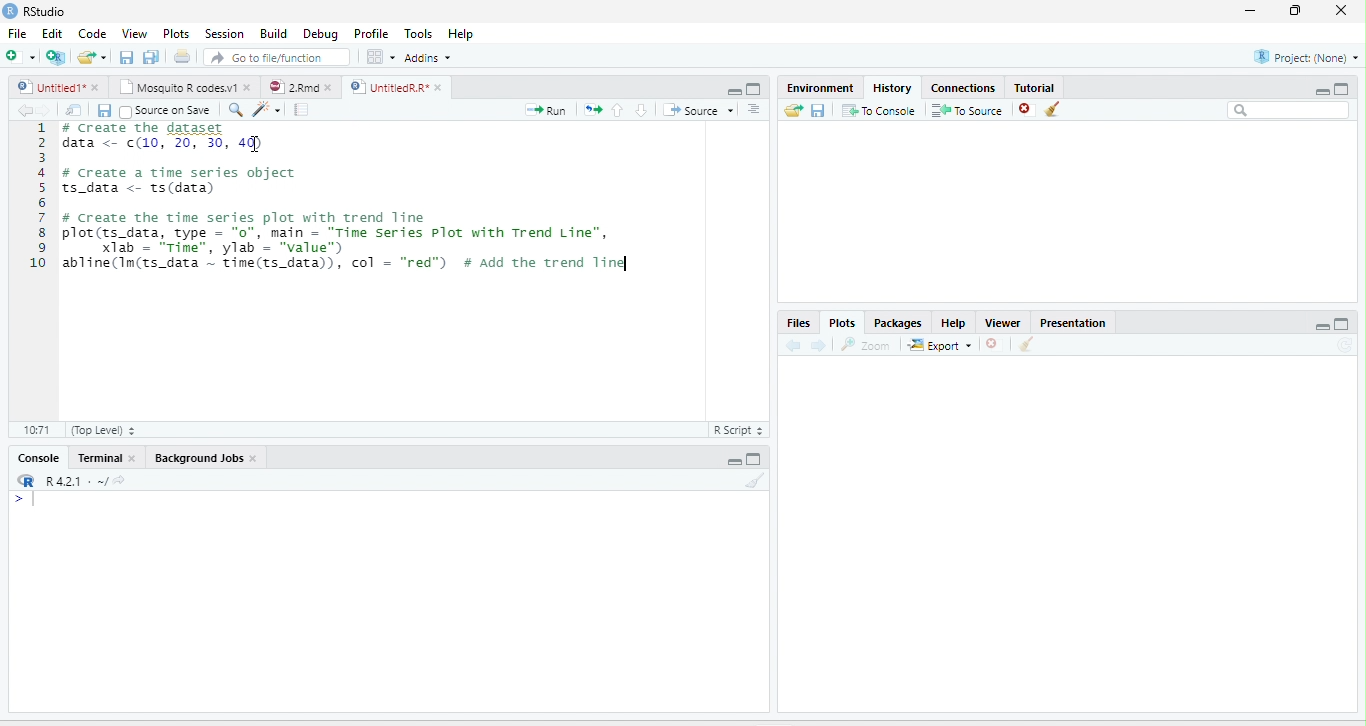 Image resolution: width=1366 pixels, height=726 pixels. What do you see at coordinates (39, 458) in the screenshot?
I see `Console` at bounding box center [39, 458].